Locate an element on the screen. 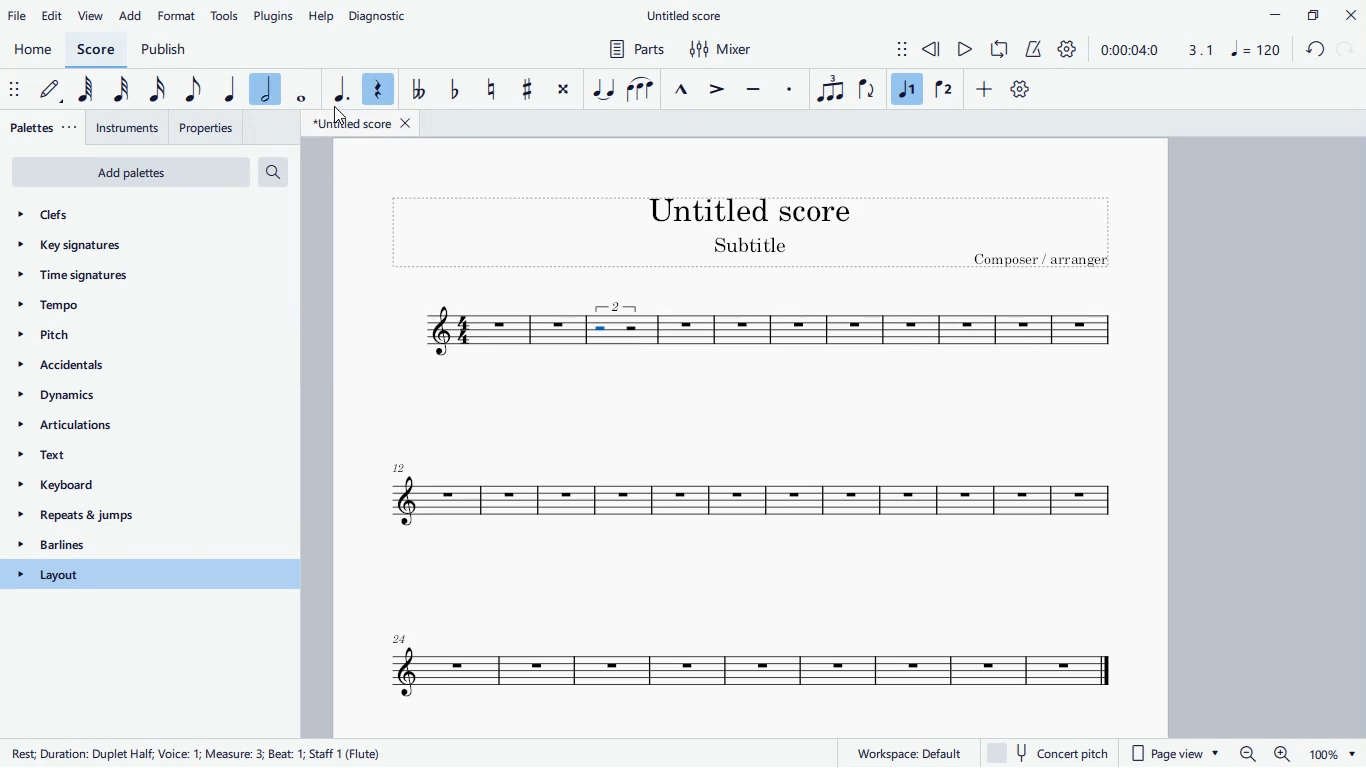 This screenshot has width=1366, height=768. toggle natural is located at coordinates (492, 88).